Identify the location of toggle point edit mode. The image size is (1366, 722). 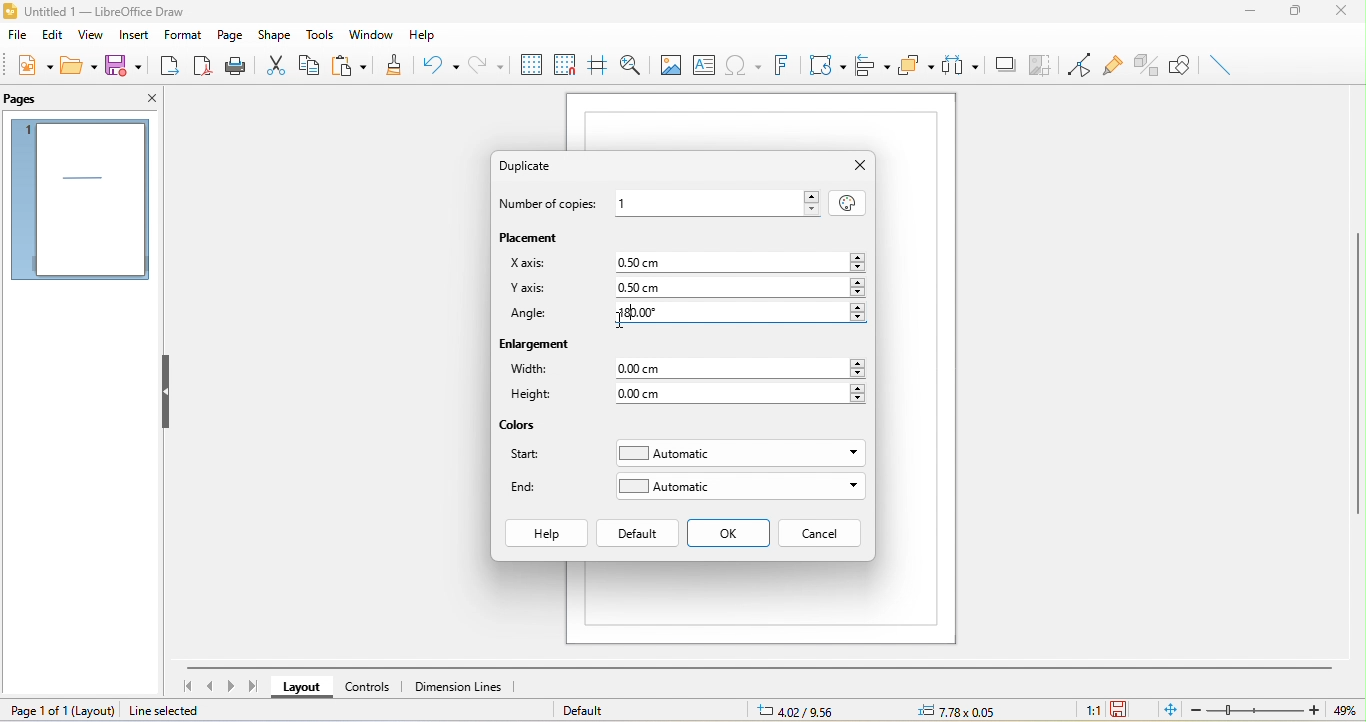
(1074, 62).